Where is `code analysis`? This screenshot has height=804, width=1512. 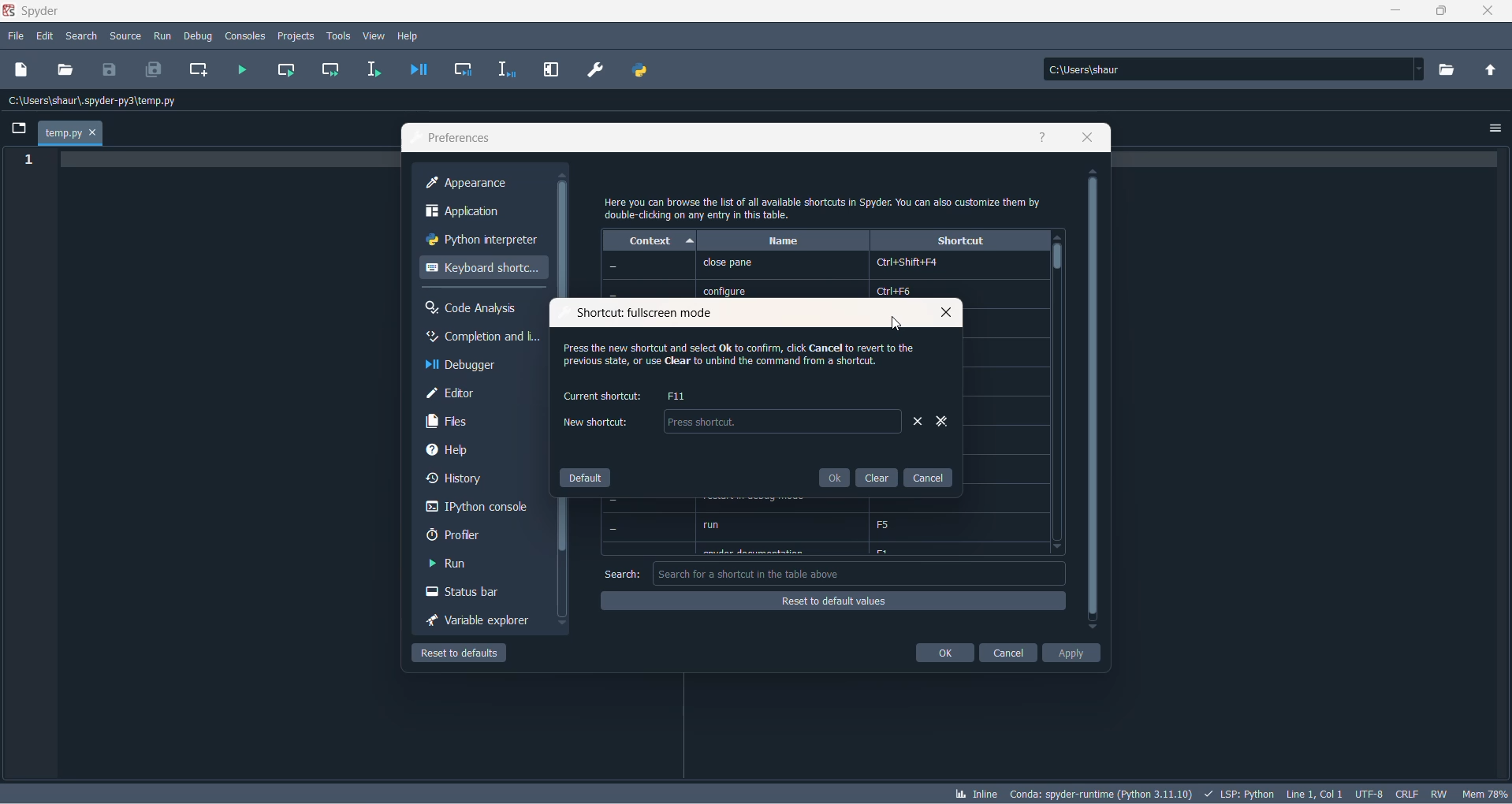
code analysis is located at coordinates (479, 308).